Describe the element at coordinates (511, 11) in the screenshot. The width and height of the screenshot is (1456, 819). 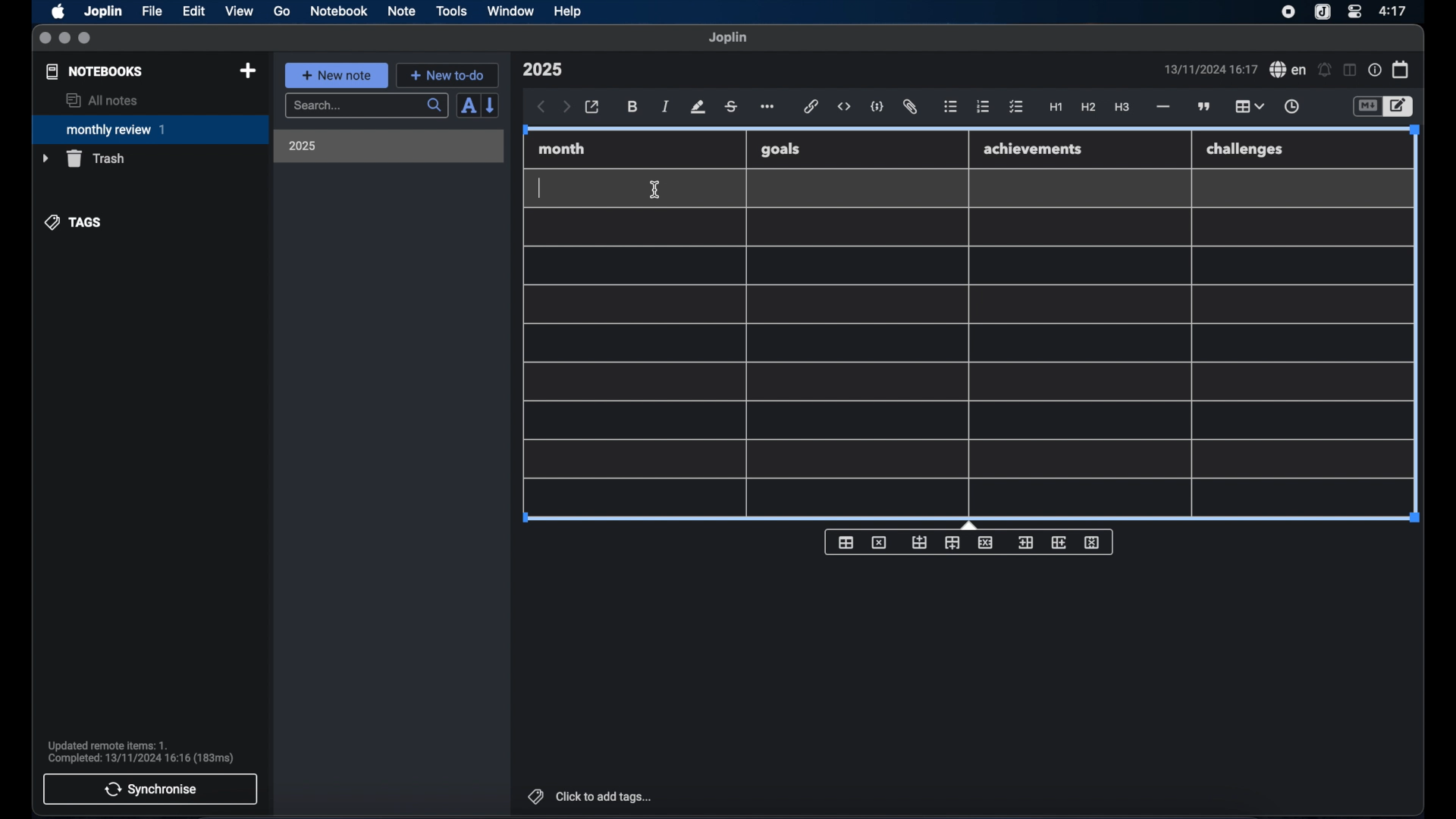
I see `window` at that location.